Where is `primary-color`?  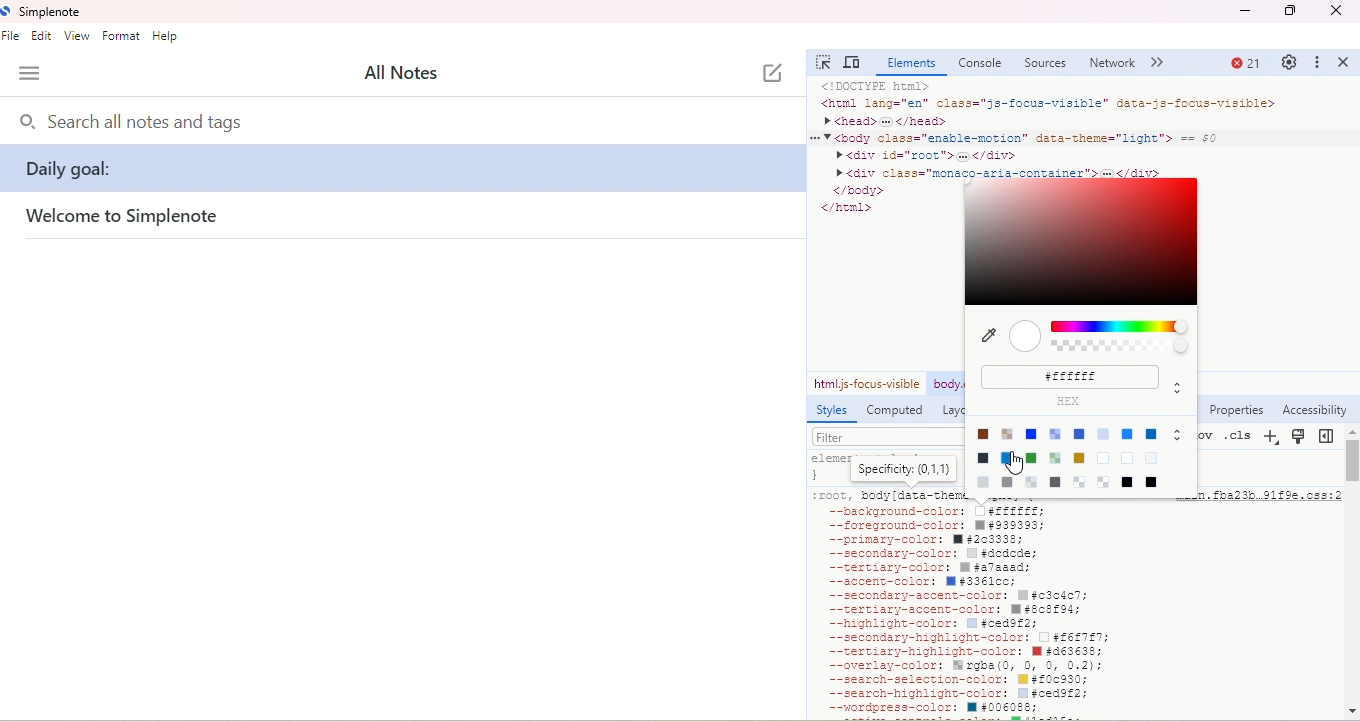 primary-color is located at coordinates (929, 540).